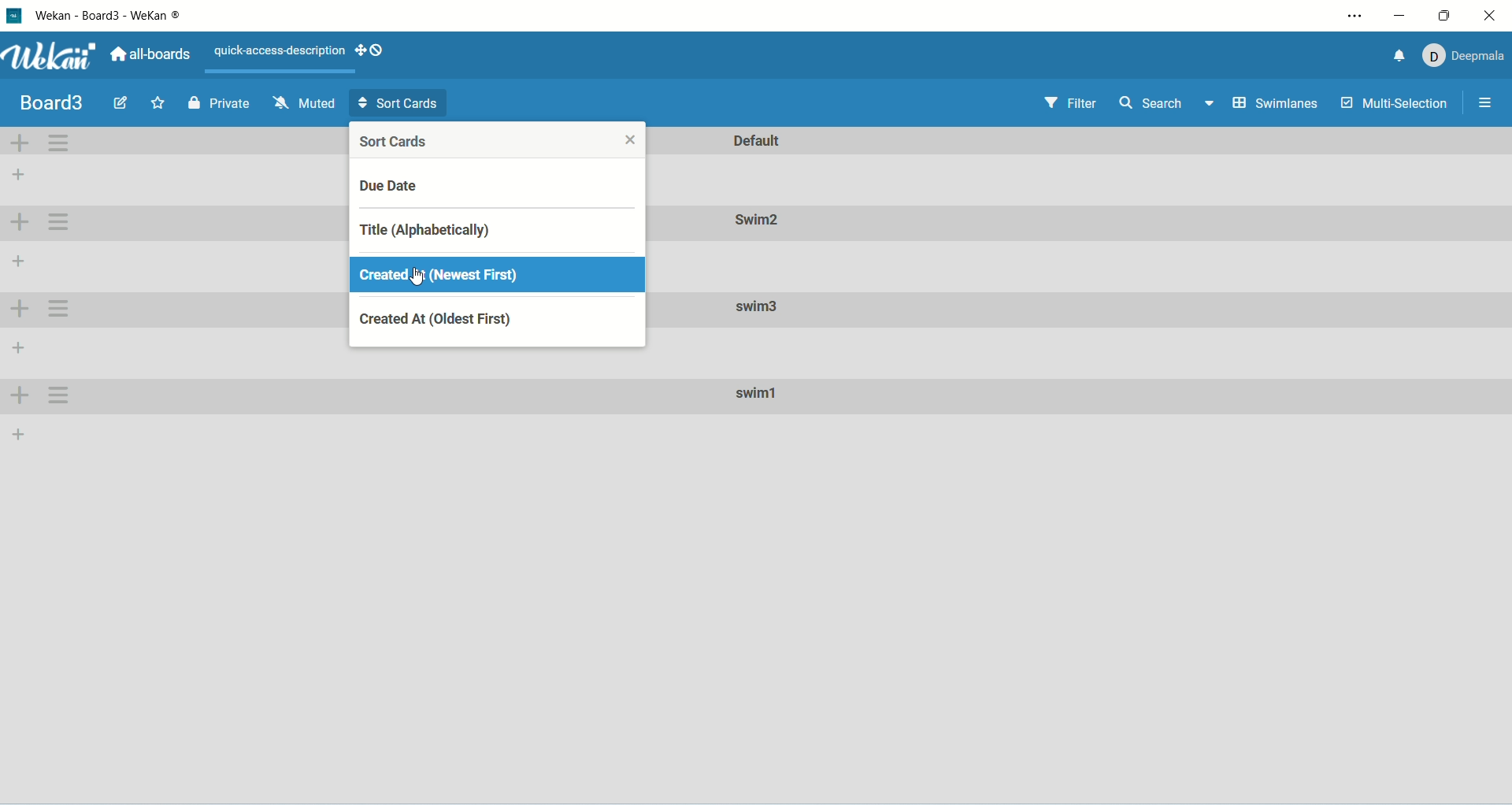 The width and height of the screenshot is (1512, 805). Describe the element at coordinates (20, 172) in the screenshot. I see `add list` at that location.